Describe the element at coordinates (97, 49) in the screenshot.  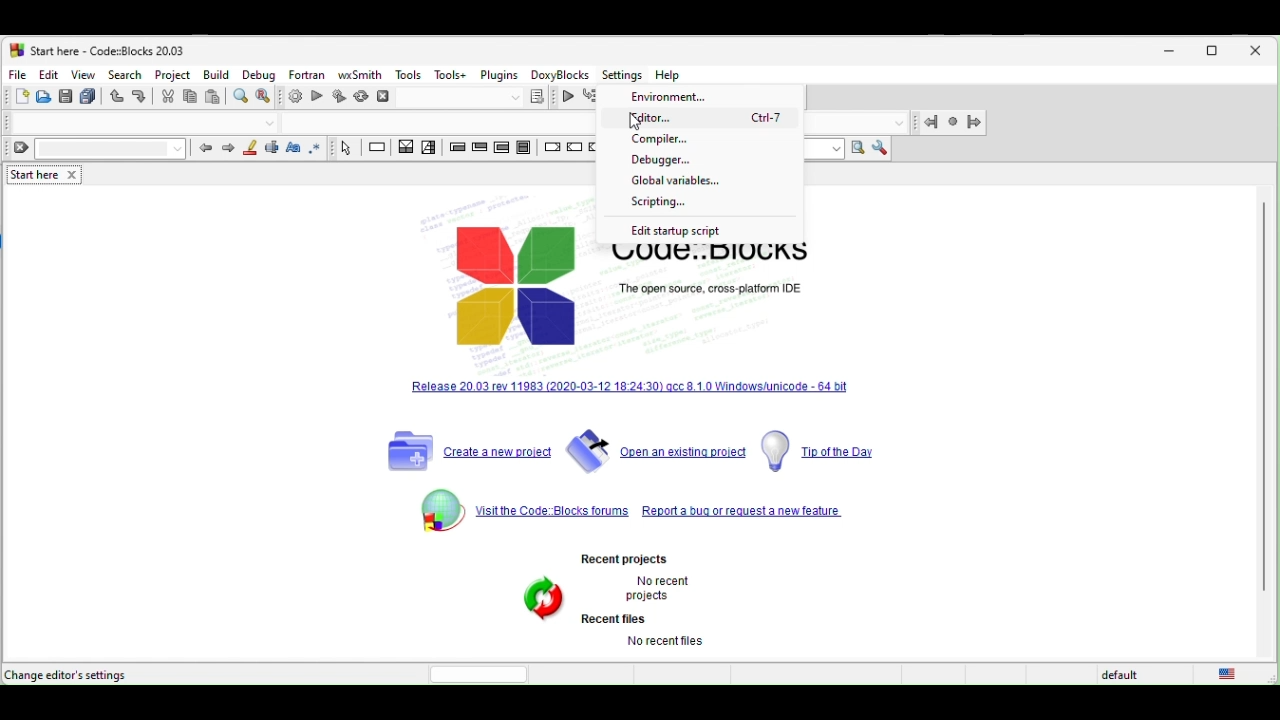
I see `start here-code blocks-20.03` at that location.